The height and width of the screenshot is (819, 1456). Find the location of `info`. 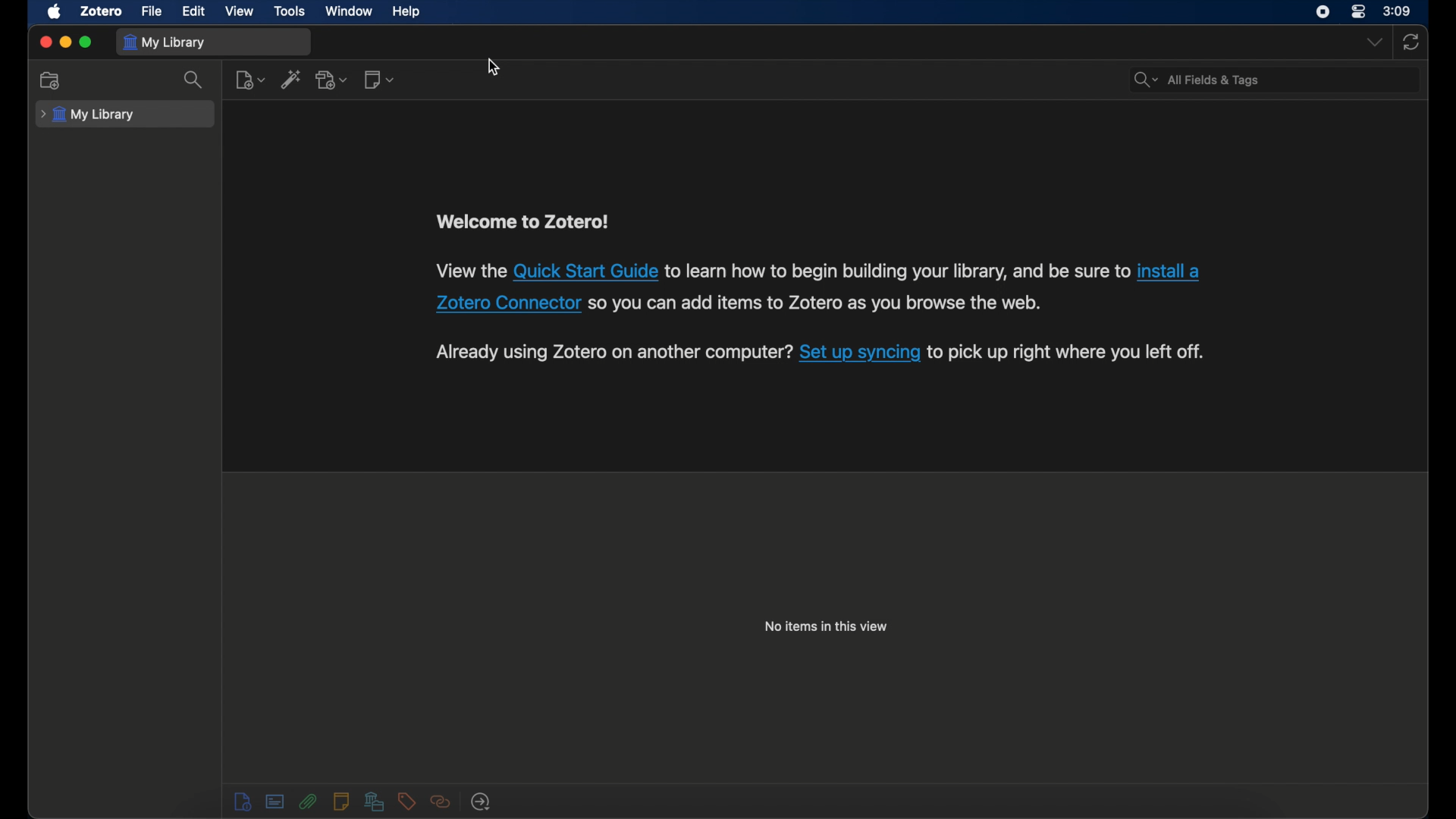

info is located at coordinates (241, 802).